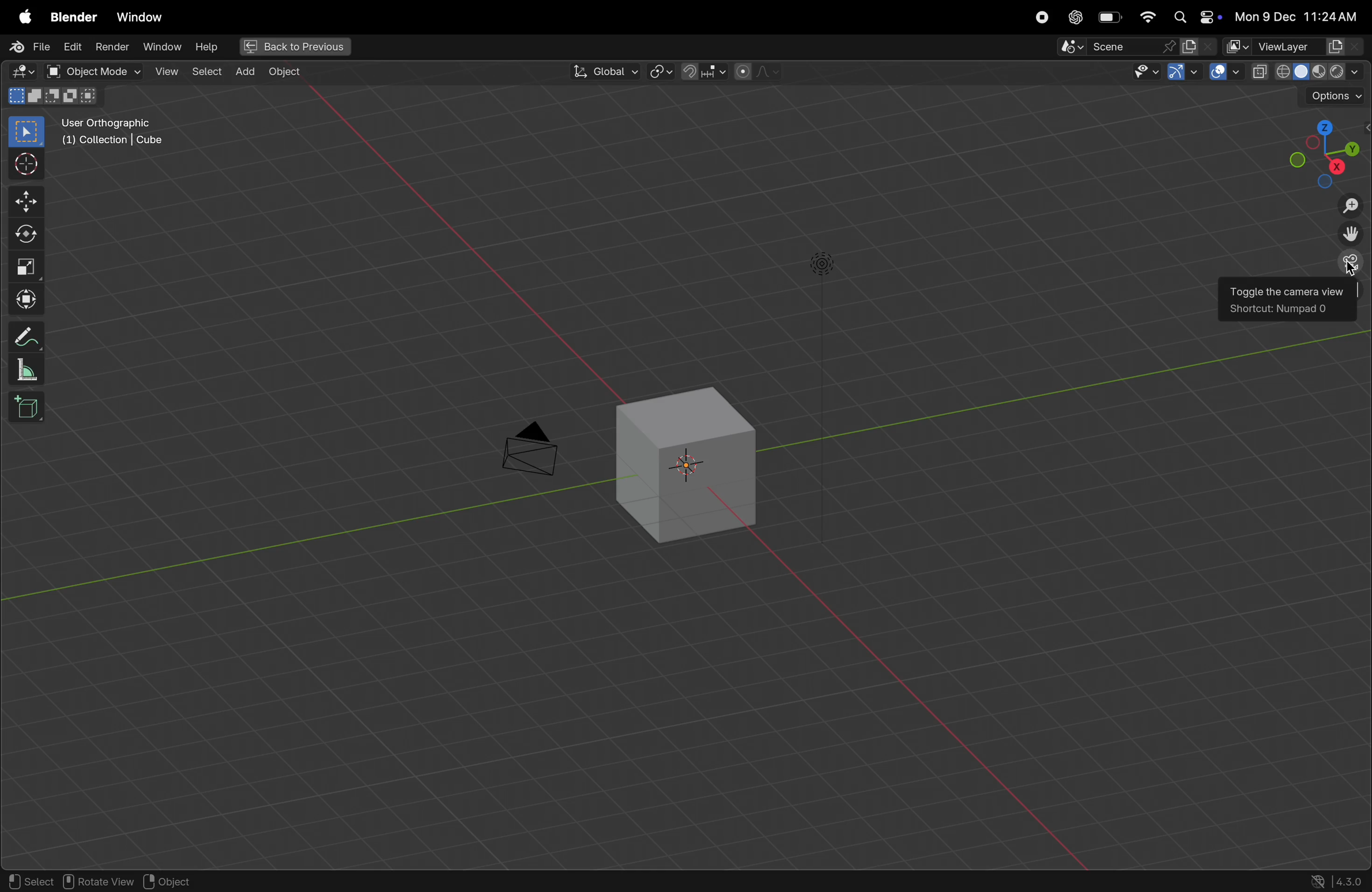  Describe the element at coordinates (1350, 271) in the screenshot. I see `cursor` at that location.